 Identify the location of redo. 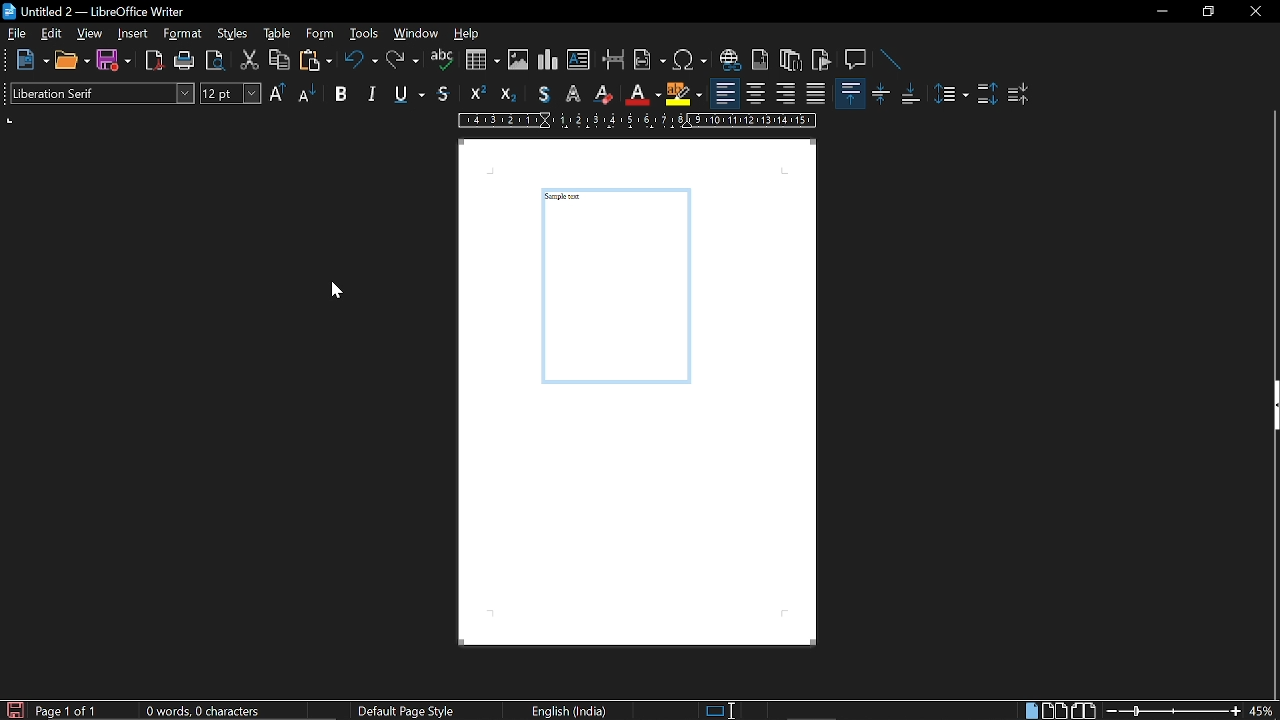
(402, 62).